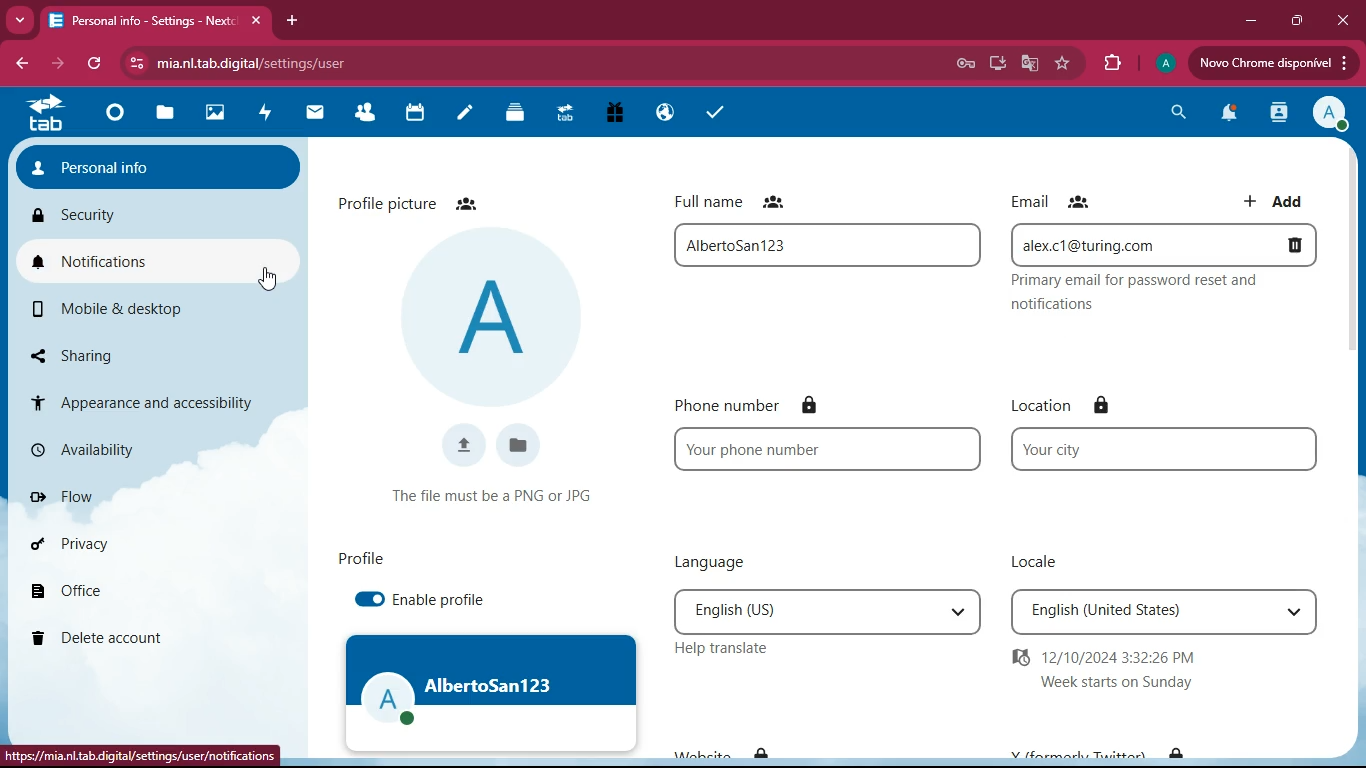 The width and height of the screenshot is (1366, 768). What do you see at coordinates (766, 407) in the screenshot?
I see `phone` at bounding box center [766, 407].